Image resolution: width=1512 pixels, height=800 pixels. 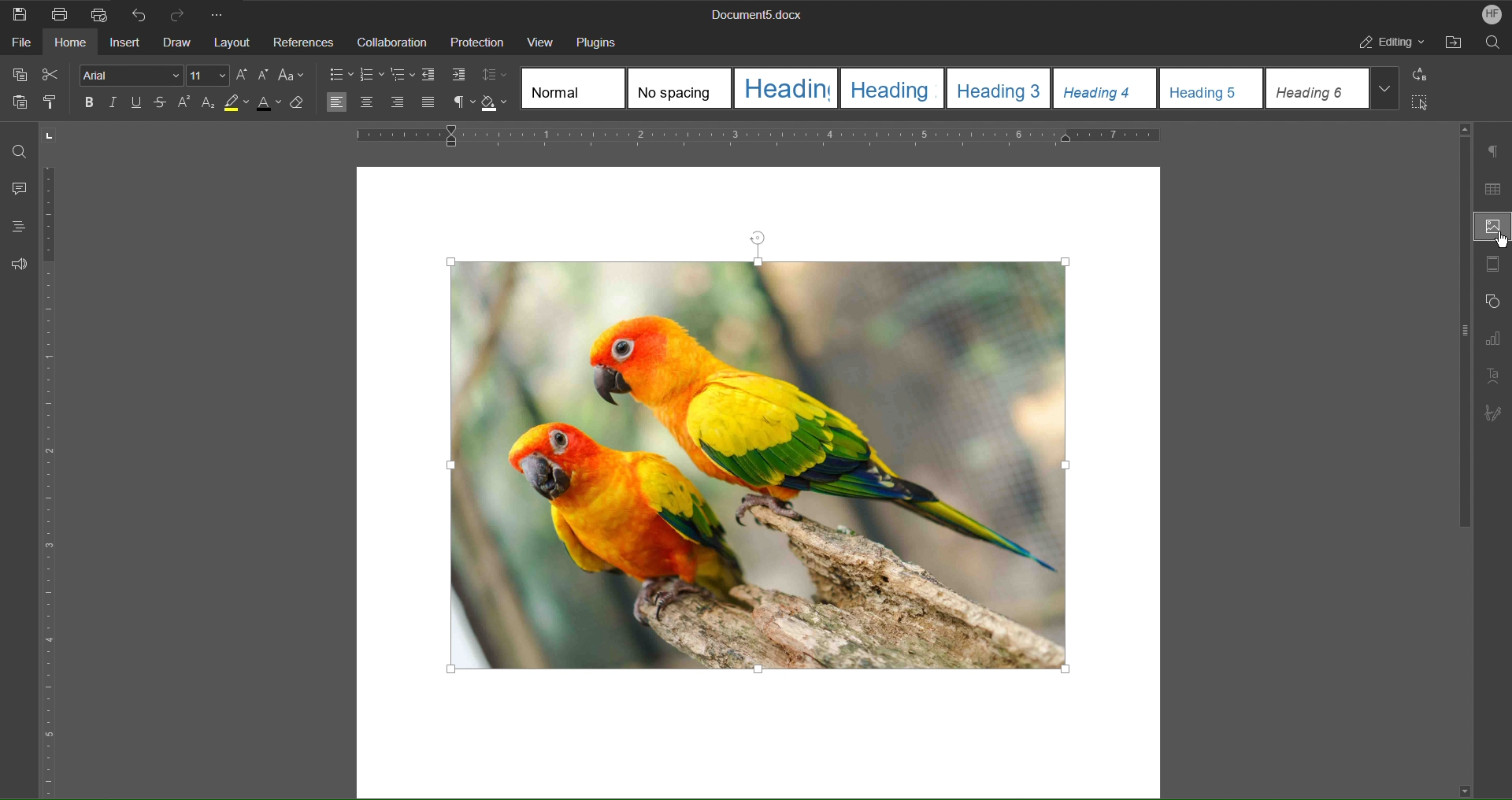 What do you see at coordinates (380, 103) in the screenshot?
I see `Alignment` at bounding box center [380, 103].